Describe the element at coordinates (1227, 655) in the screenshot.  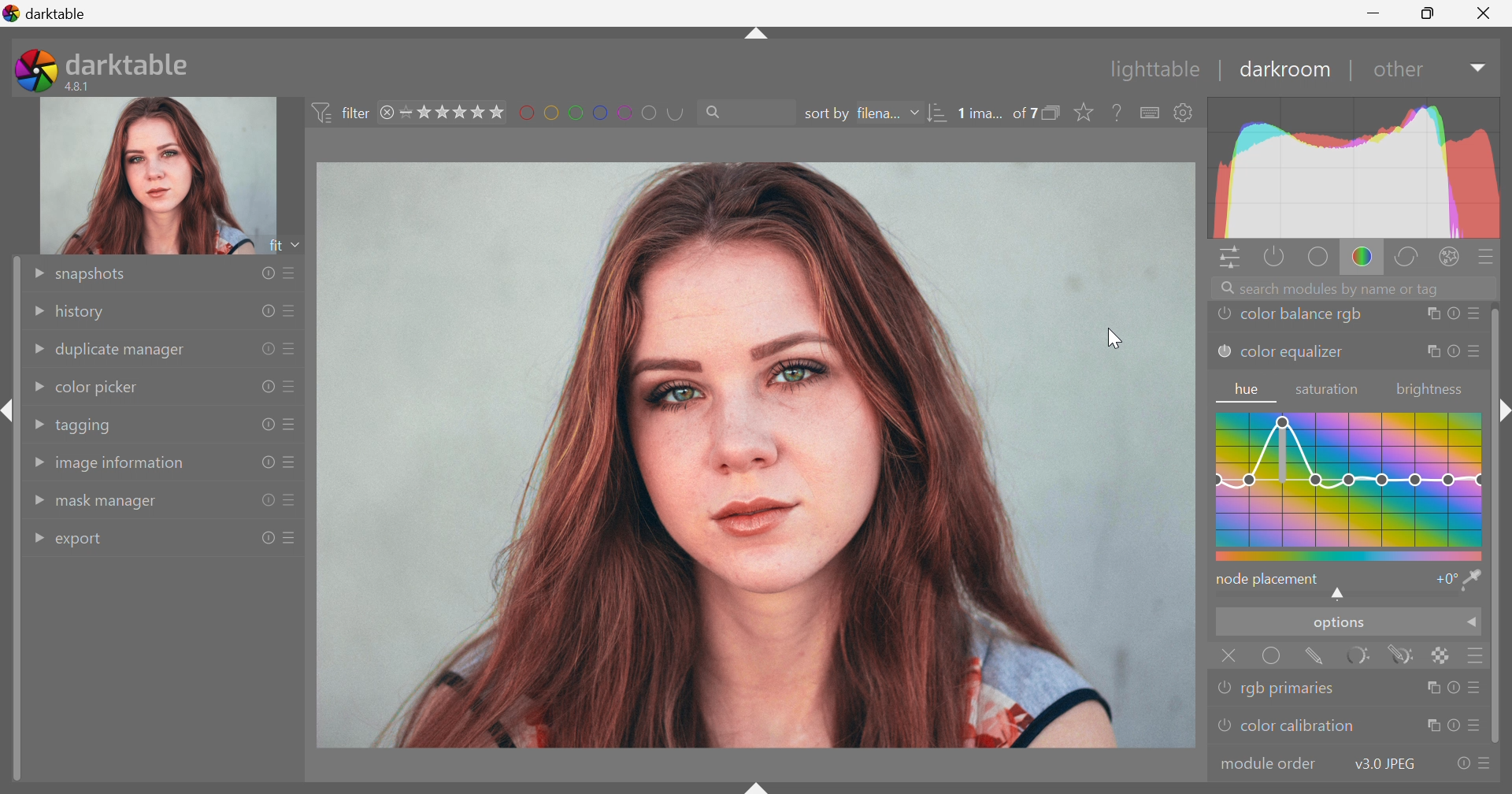
I see `Close` at that location.